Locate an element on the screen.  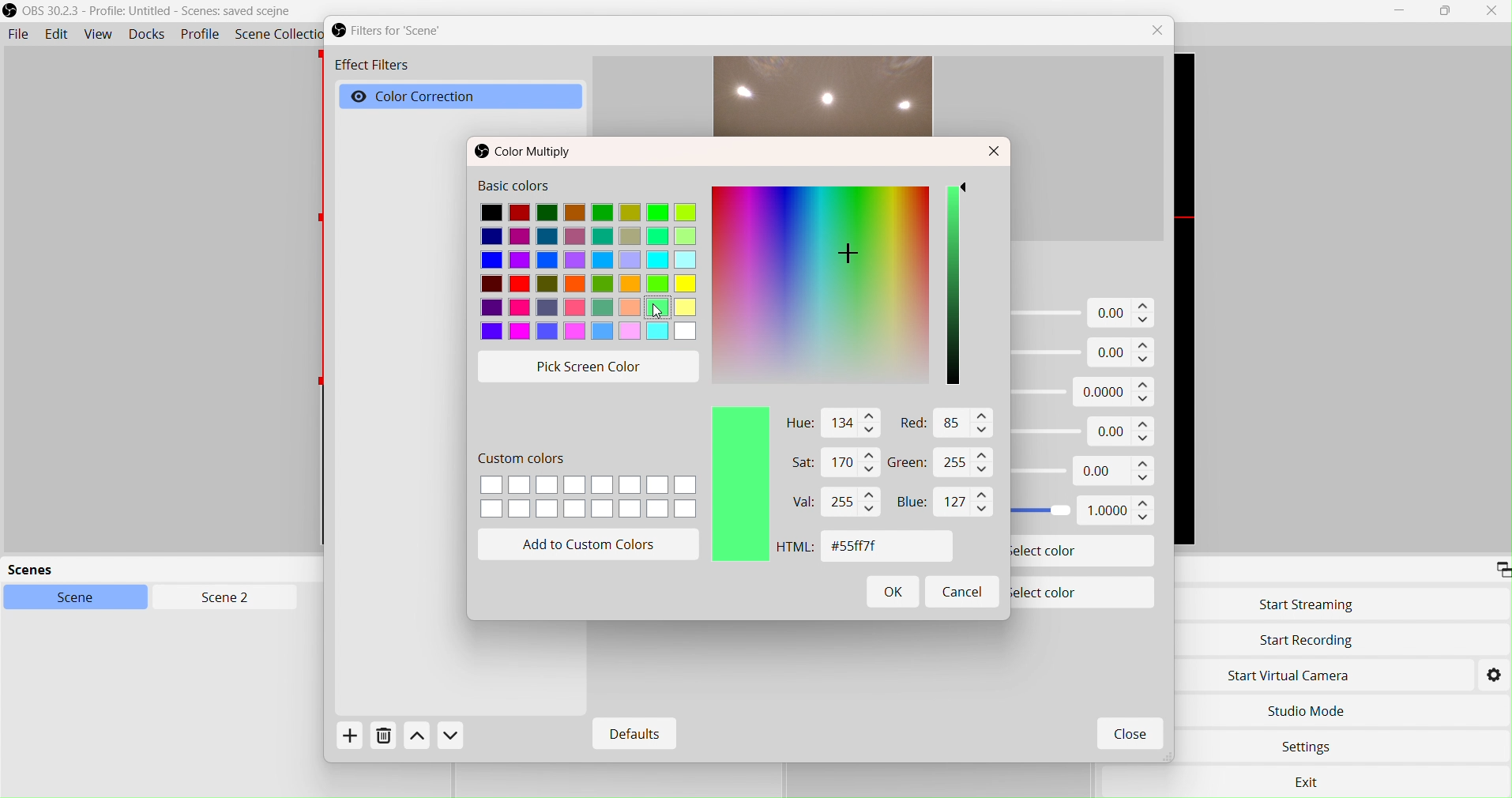
Settings is located at coordinates (1494, 674).